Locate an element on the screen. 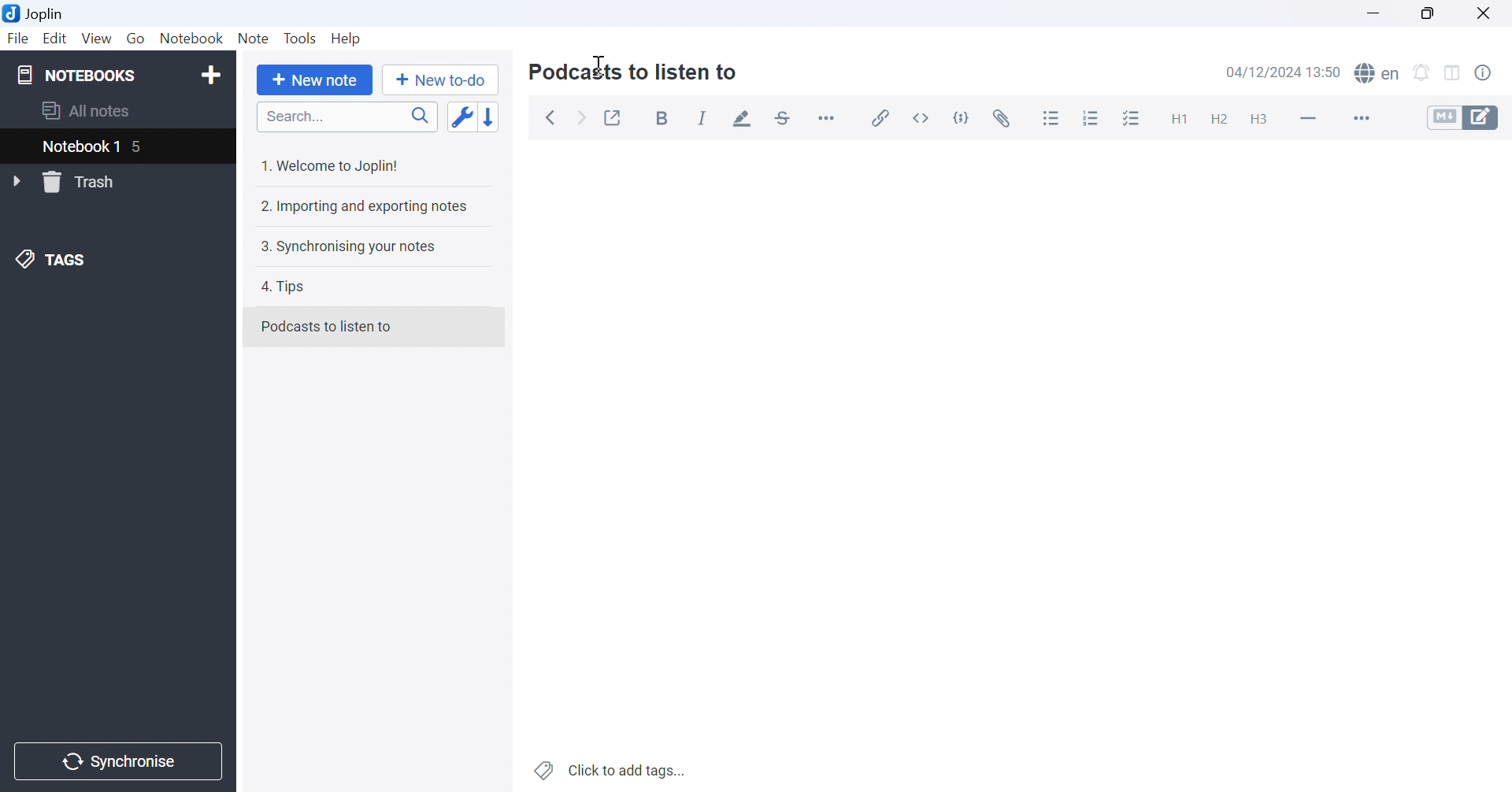 The height and width of the screenshot is (792, 1512). Heading 1 is located at coordinates (1174, 116).